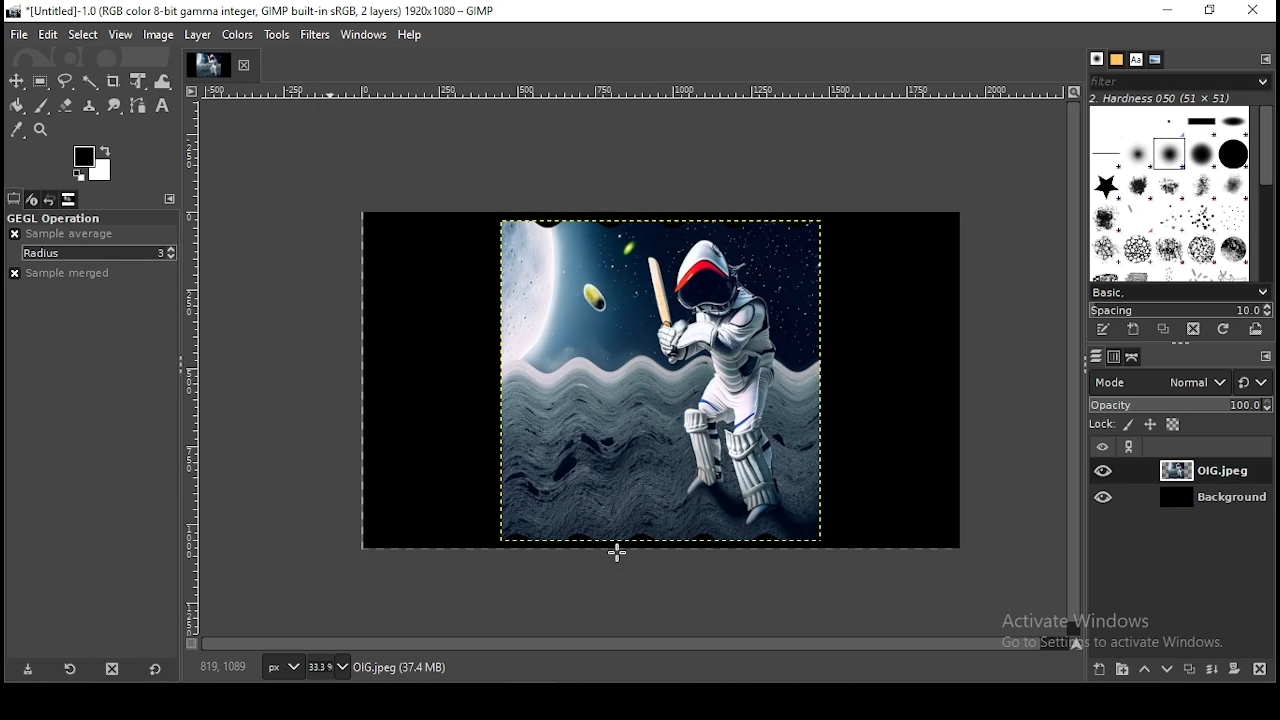 Image resolution: width=1280 pixels, height=720 pixels. What do you see at coordinates (1192, 668) in the screenshot?
I see `create a duplicate of the layer and insert it to the image` at bounding box center [1192, 668].